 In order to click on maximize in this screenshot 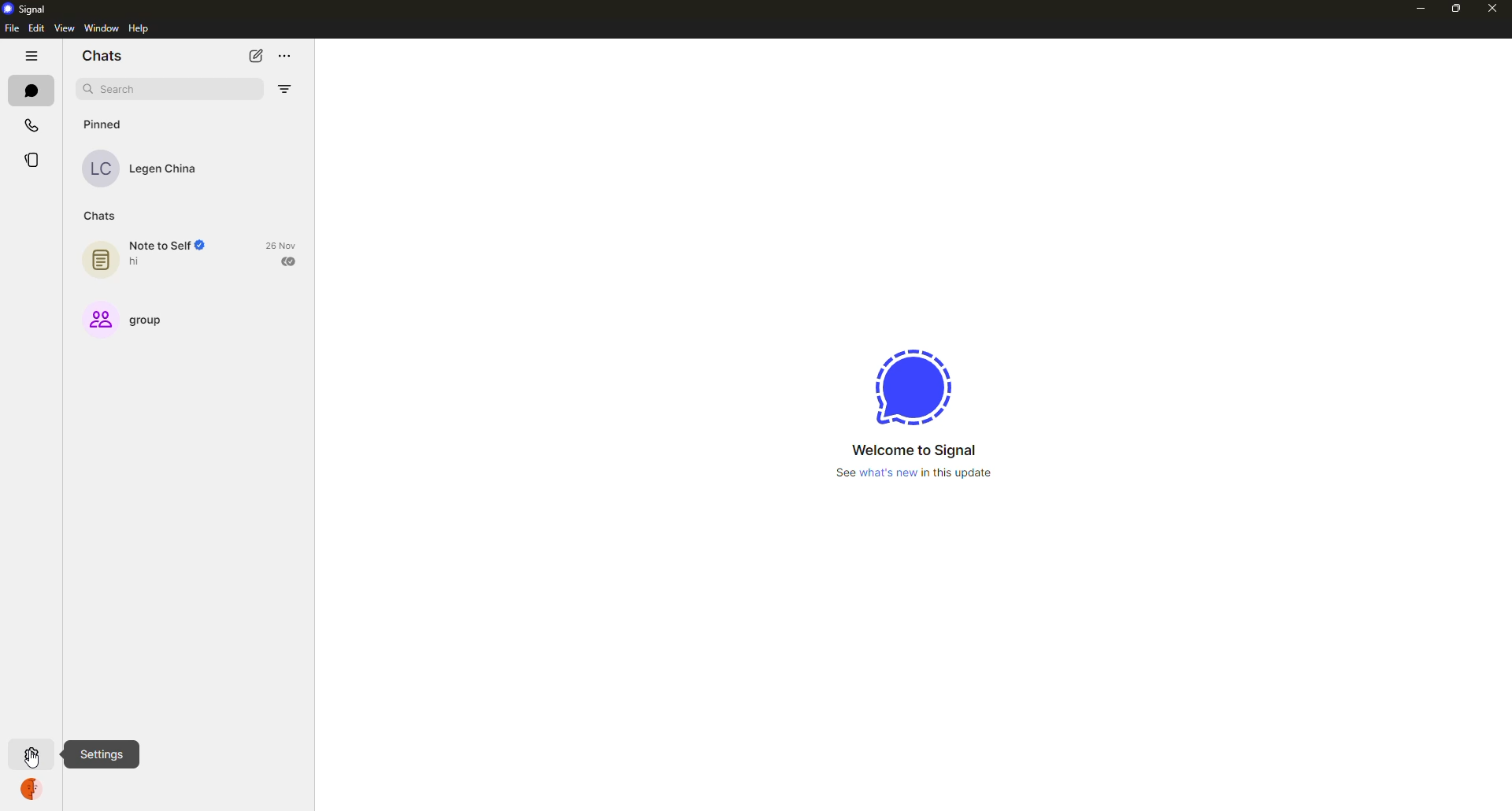, I will do `click(1451, 9)`.